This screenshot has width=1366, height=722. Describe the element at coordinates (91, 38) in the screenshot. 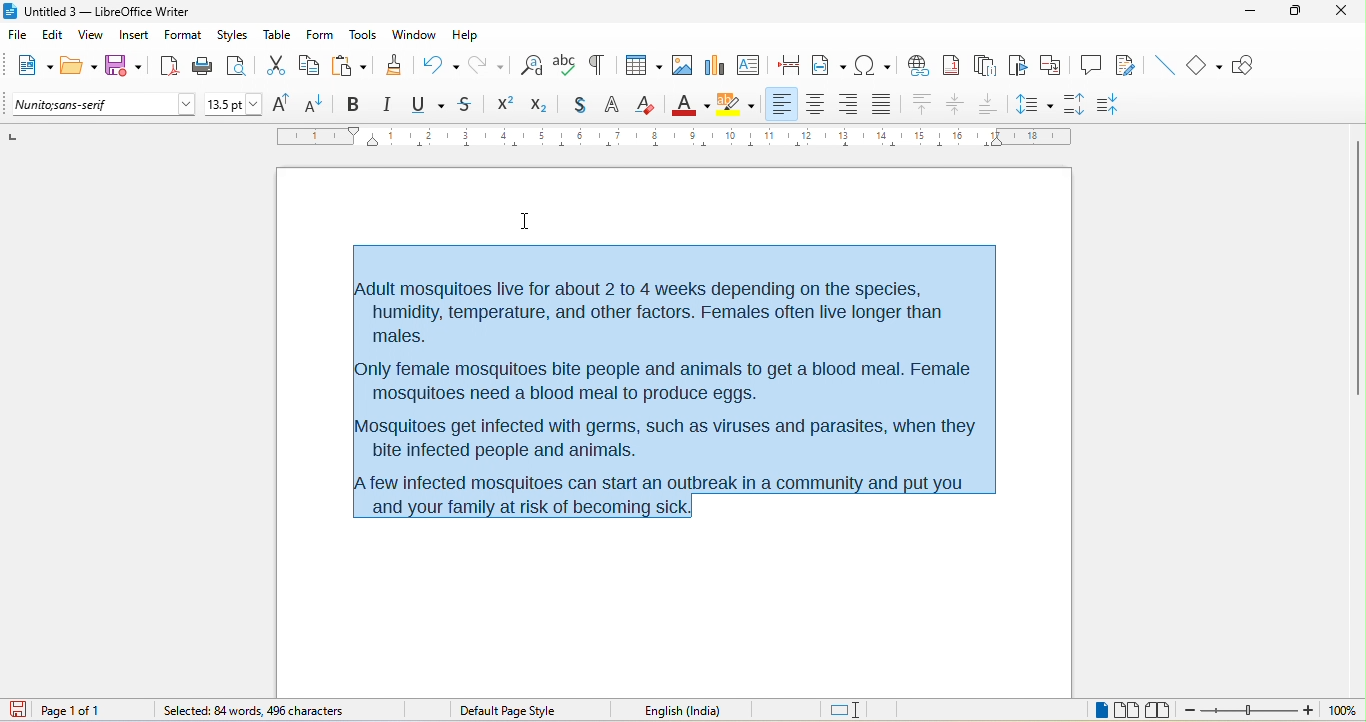

I see `view` at that location.